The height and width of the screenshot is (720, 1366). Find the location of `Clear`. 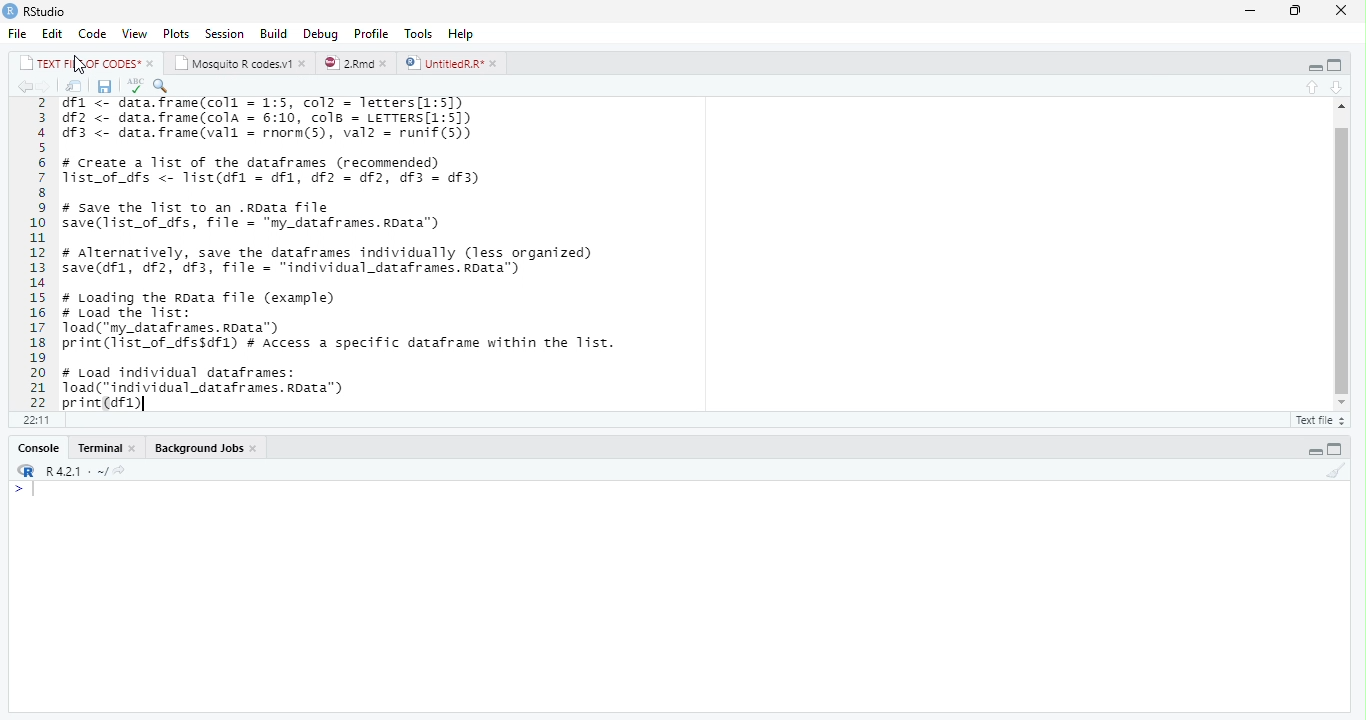

Clear is located at coordinates (1338, 472).